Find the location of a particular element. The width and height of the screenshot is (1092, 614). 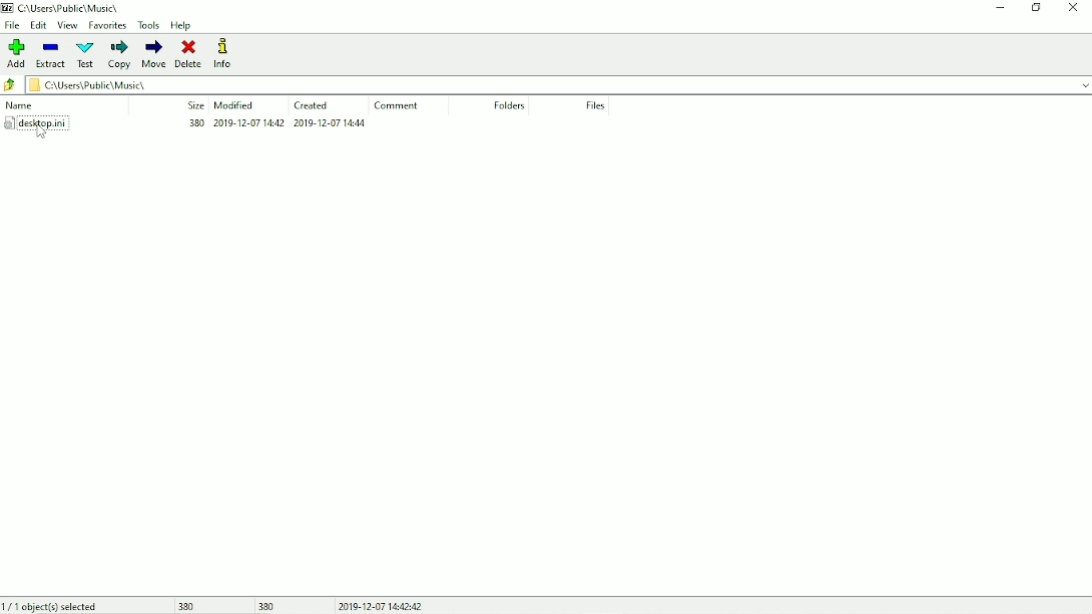

Close is located at coordinates (1073, 8).